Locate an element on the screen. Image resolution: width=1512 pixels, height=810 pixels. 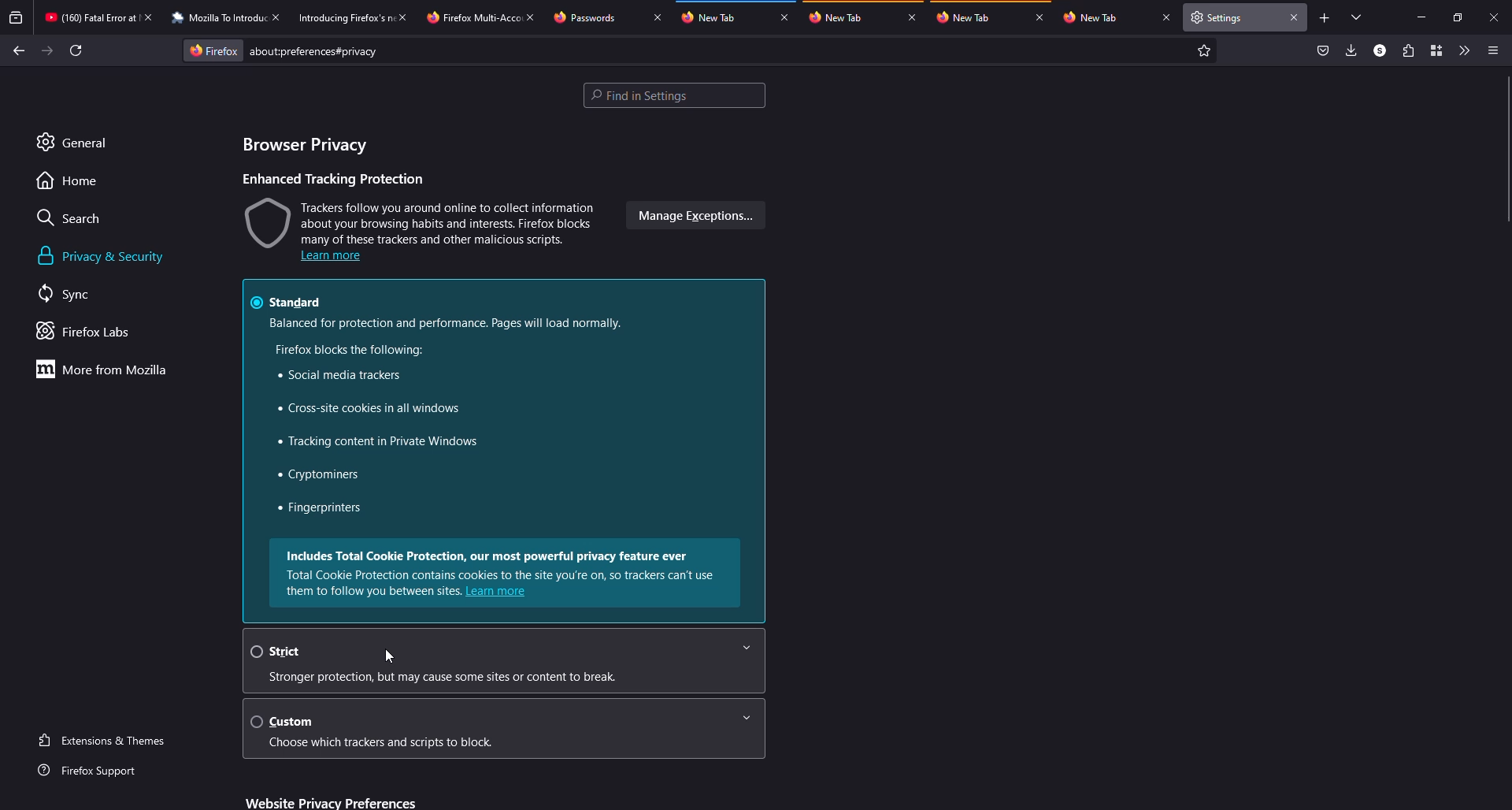
settings is located at coordinates (1221, 17).